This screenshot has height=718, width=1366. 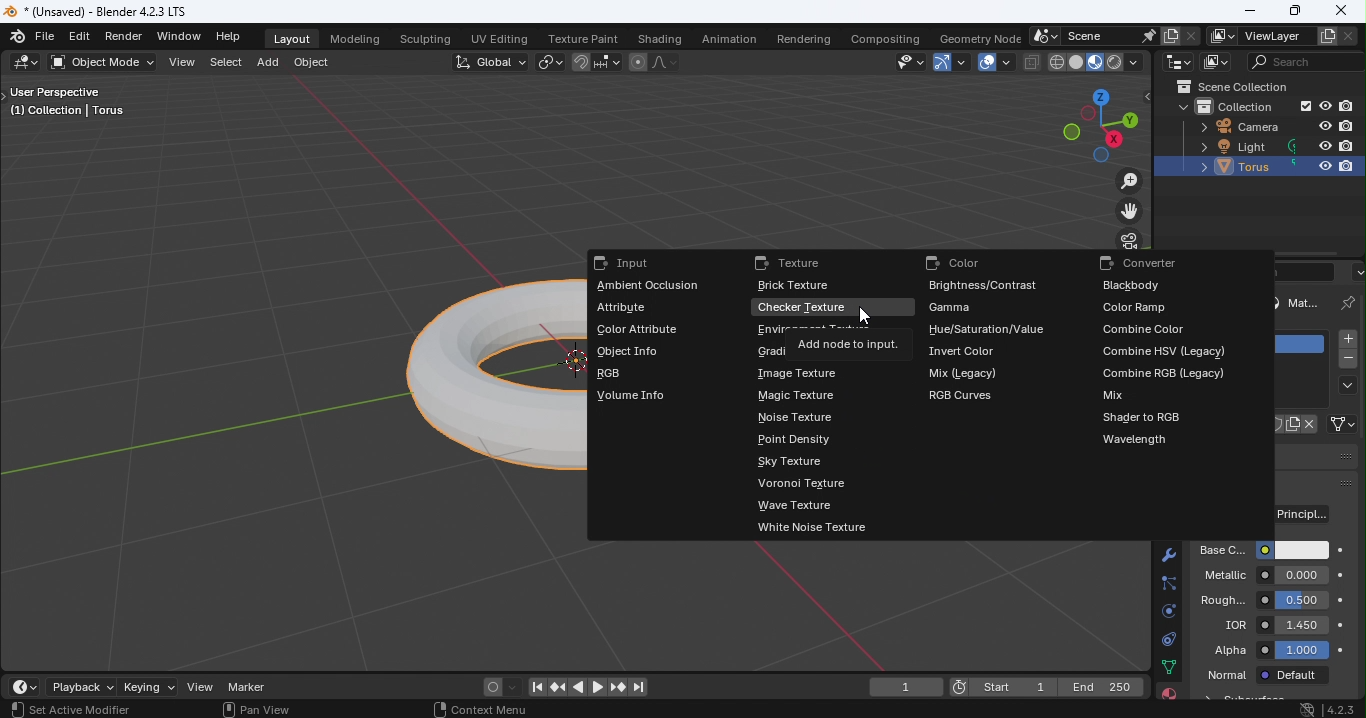 What do you see at coordinates (1114, 62) in the screenshot?
I see `Viewport shading` at bounding box center [1114, 62].